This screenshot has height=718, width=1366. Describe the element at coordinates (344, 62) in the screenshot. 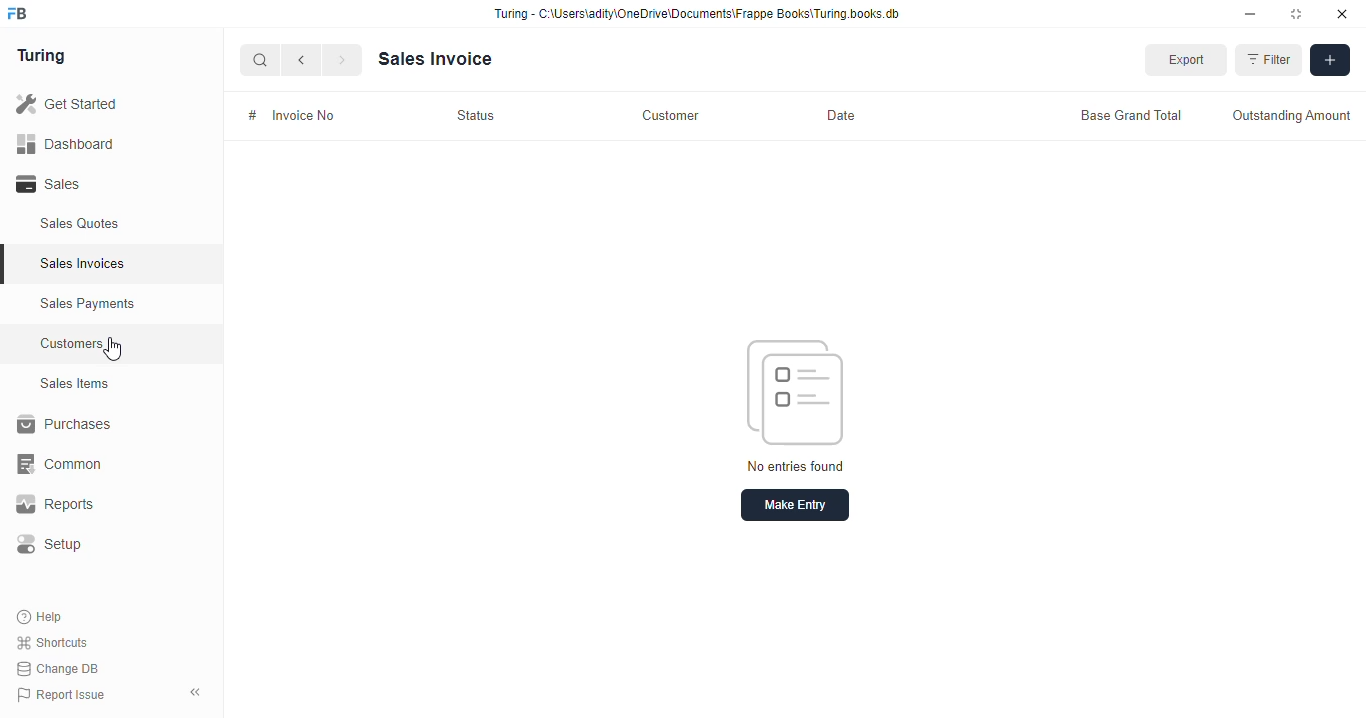

I see `forward` at that location.